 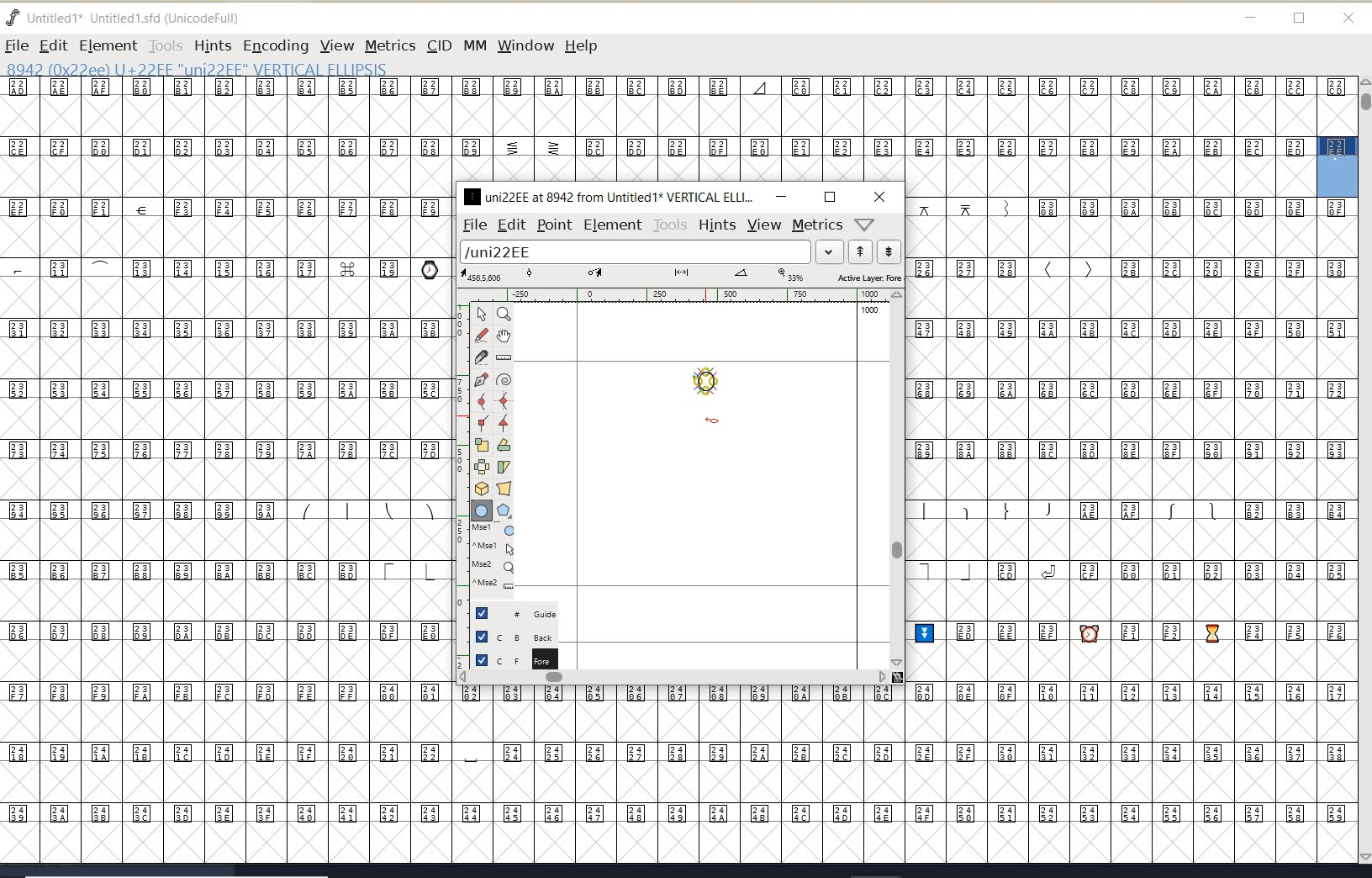 What do you see at coordinates (481, 378) in the screenshot?
I see `add a point, then drag out its control points` at bounding box center [481, 378].